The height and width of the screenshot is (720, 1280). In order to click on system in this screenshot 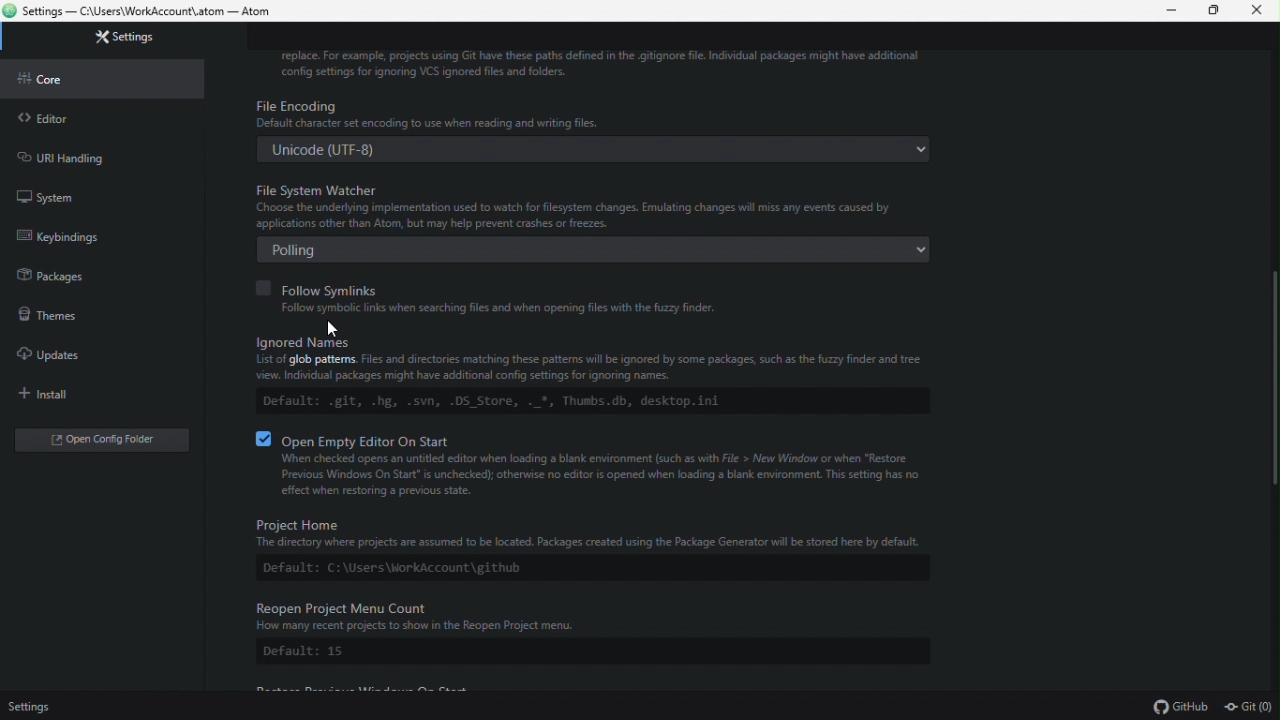, I will do `click(83, 194)`.